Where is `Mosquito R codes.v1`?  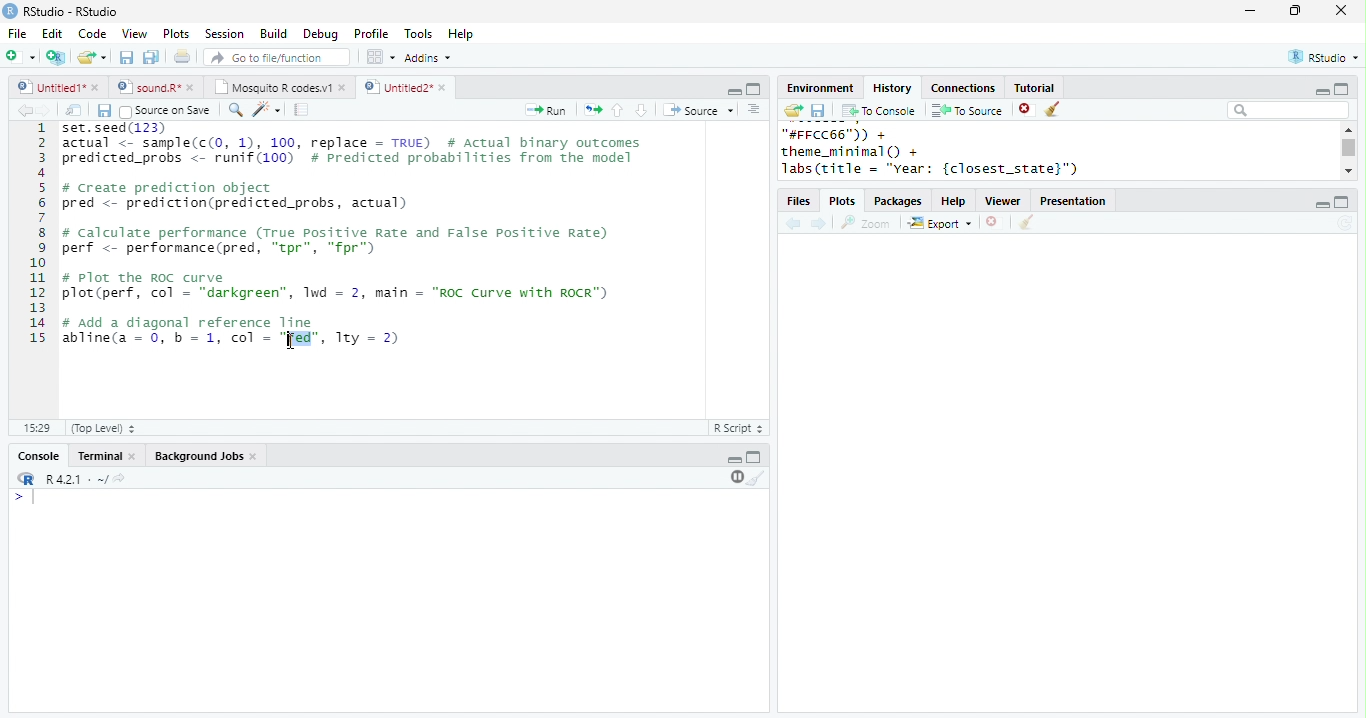 Mosquito R codes.v1 is located at coordinates (273, 87).